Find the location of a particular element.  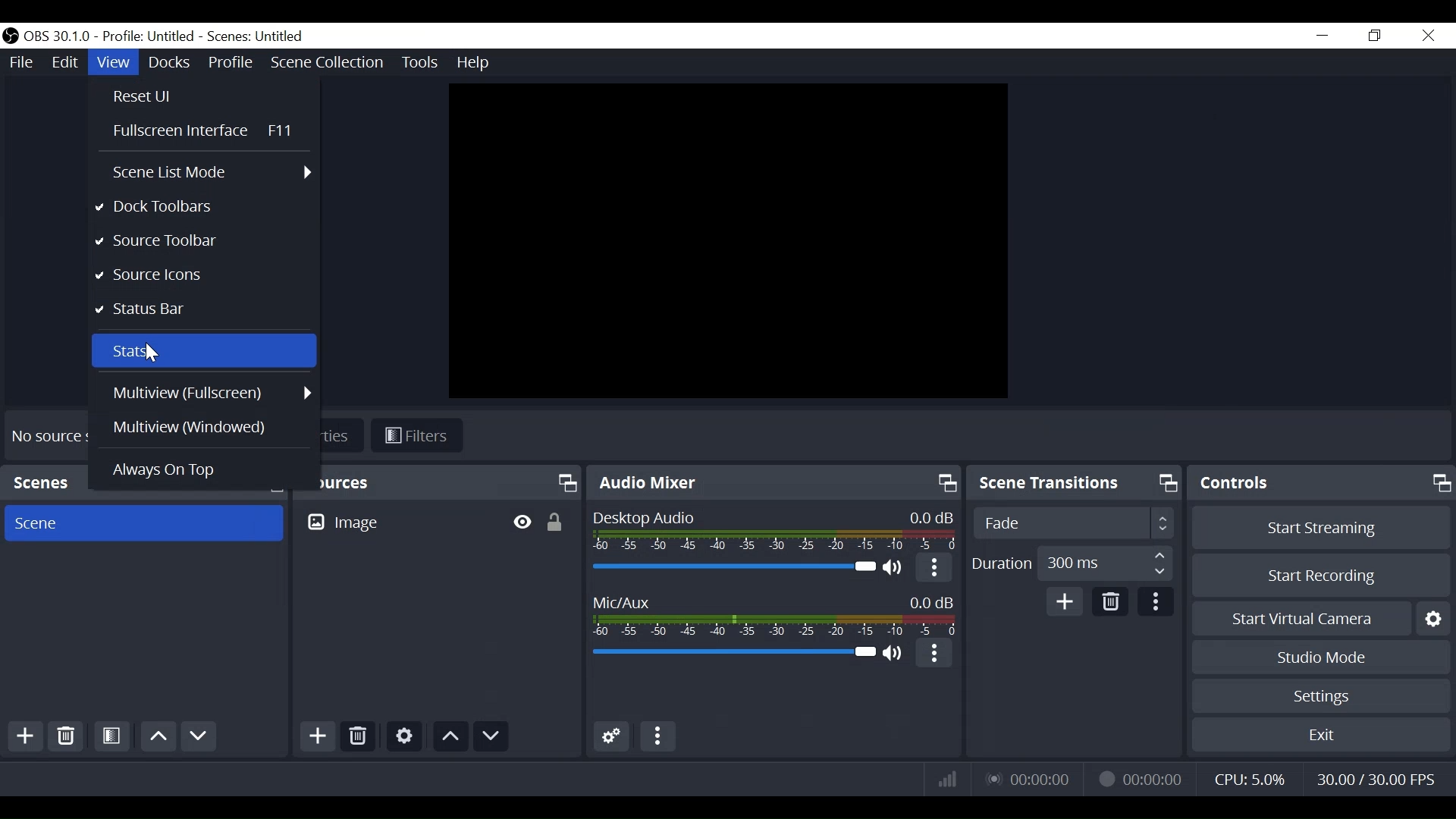

(un)check Dock Toolbars is located at coordinates (202, 207).